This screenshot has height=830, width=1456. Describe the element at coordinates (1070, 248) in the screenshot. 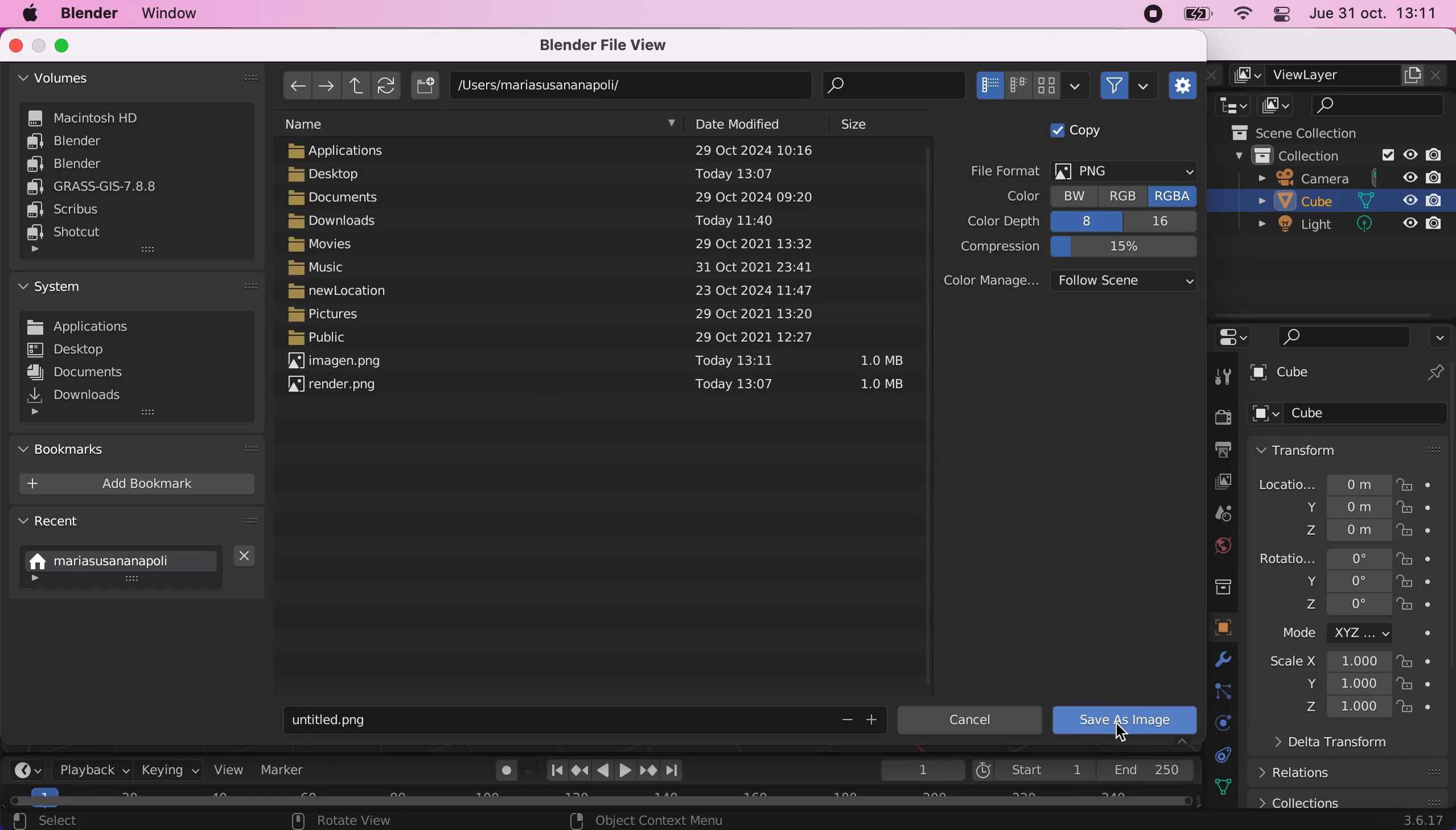

I see `compression` at that location.